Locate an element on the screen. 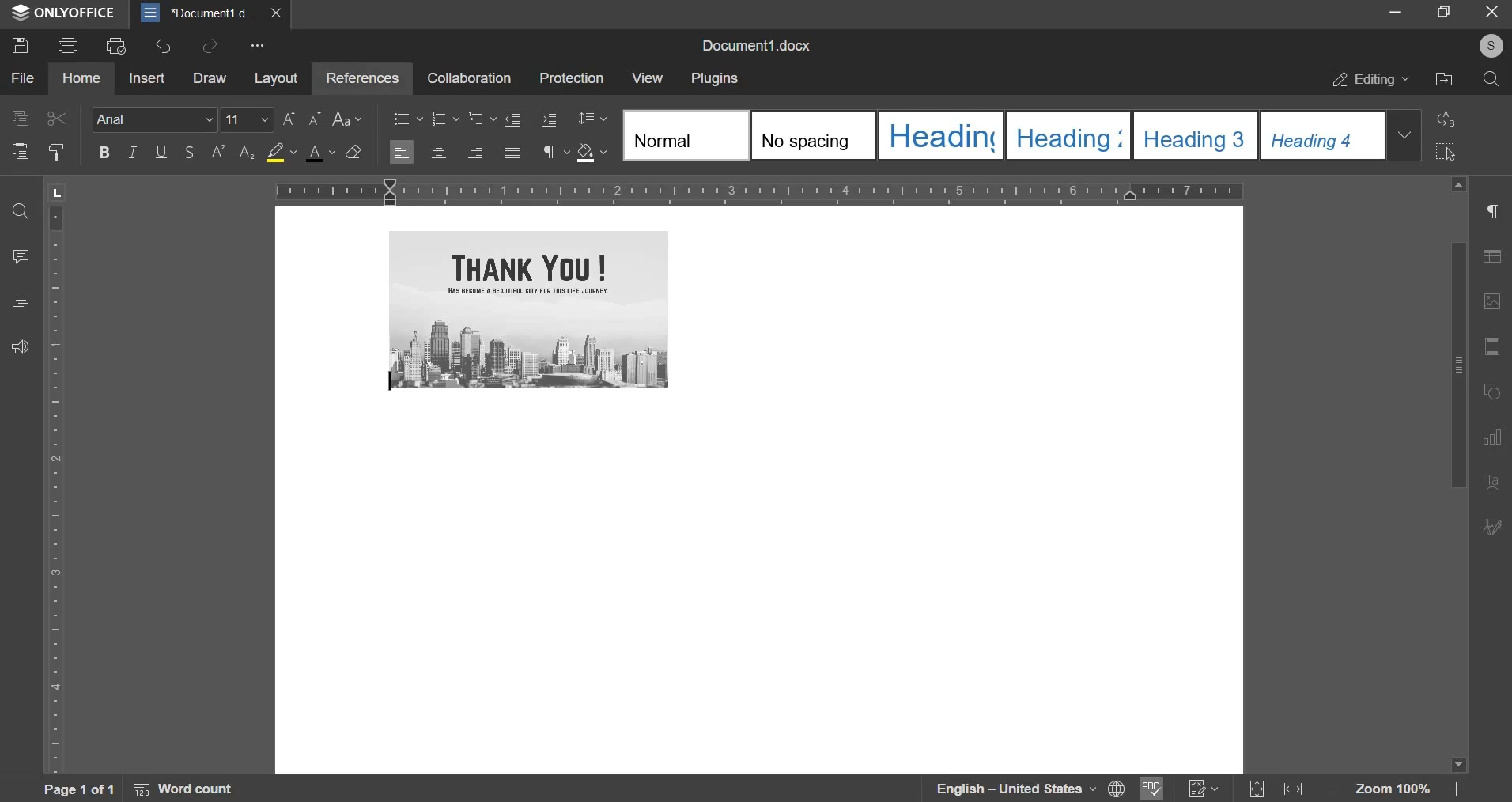 The image size is (1512, 802). Heading 1 is located at coordinates (941, 134).